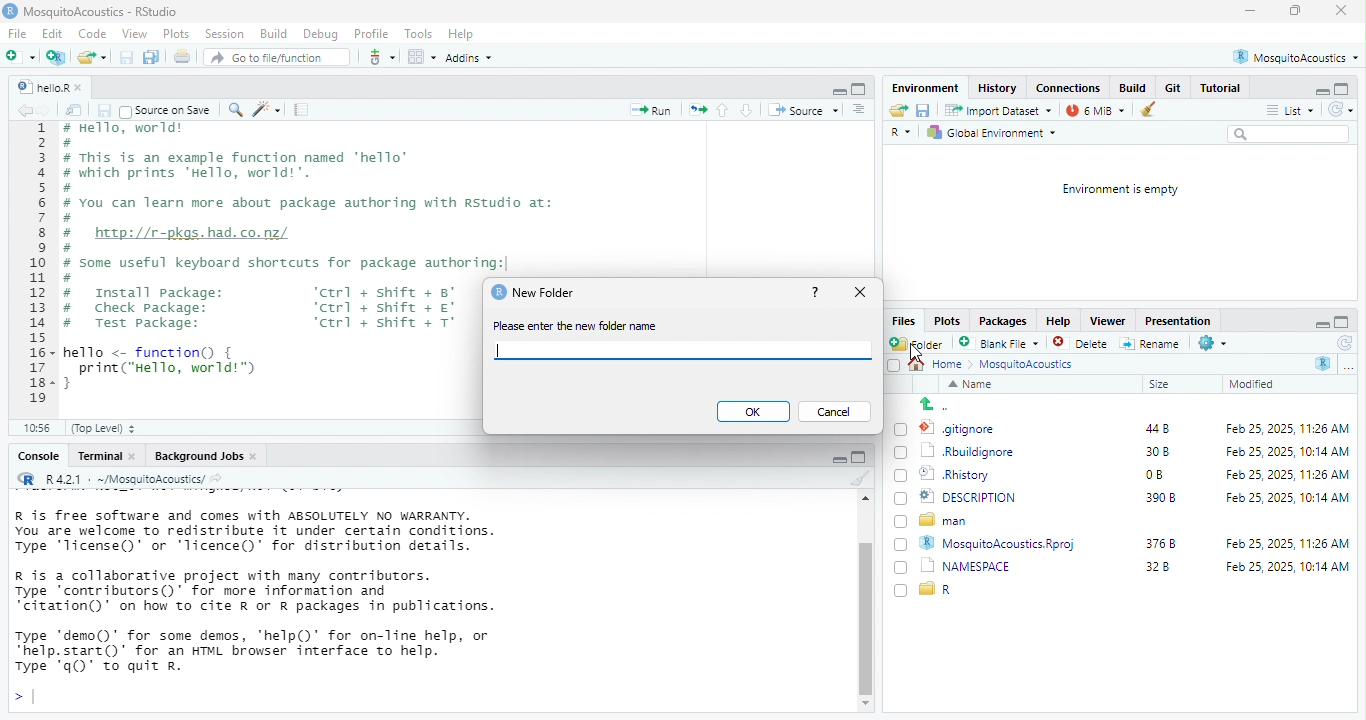 This screenshot has width=1366, height=720. I want to click on   MosguitoAcoustics, so click(1034, 366).